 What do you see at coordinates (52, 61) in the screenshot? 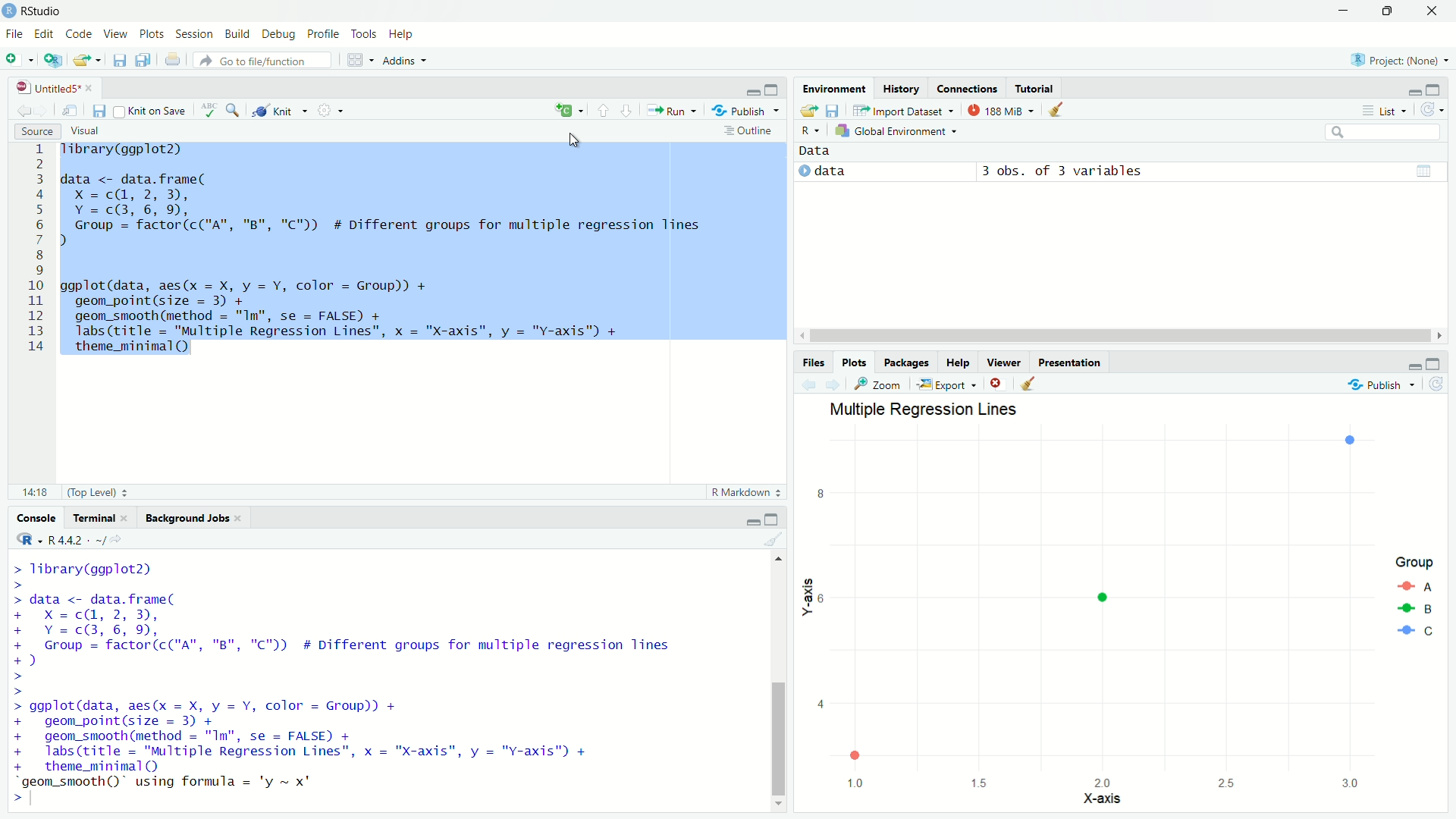
I see `add script` at bounding box center [52, 61].